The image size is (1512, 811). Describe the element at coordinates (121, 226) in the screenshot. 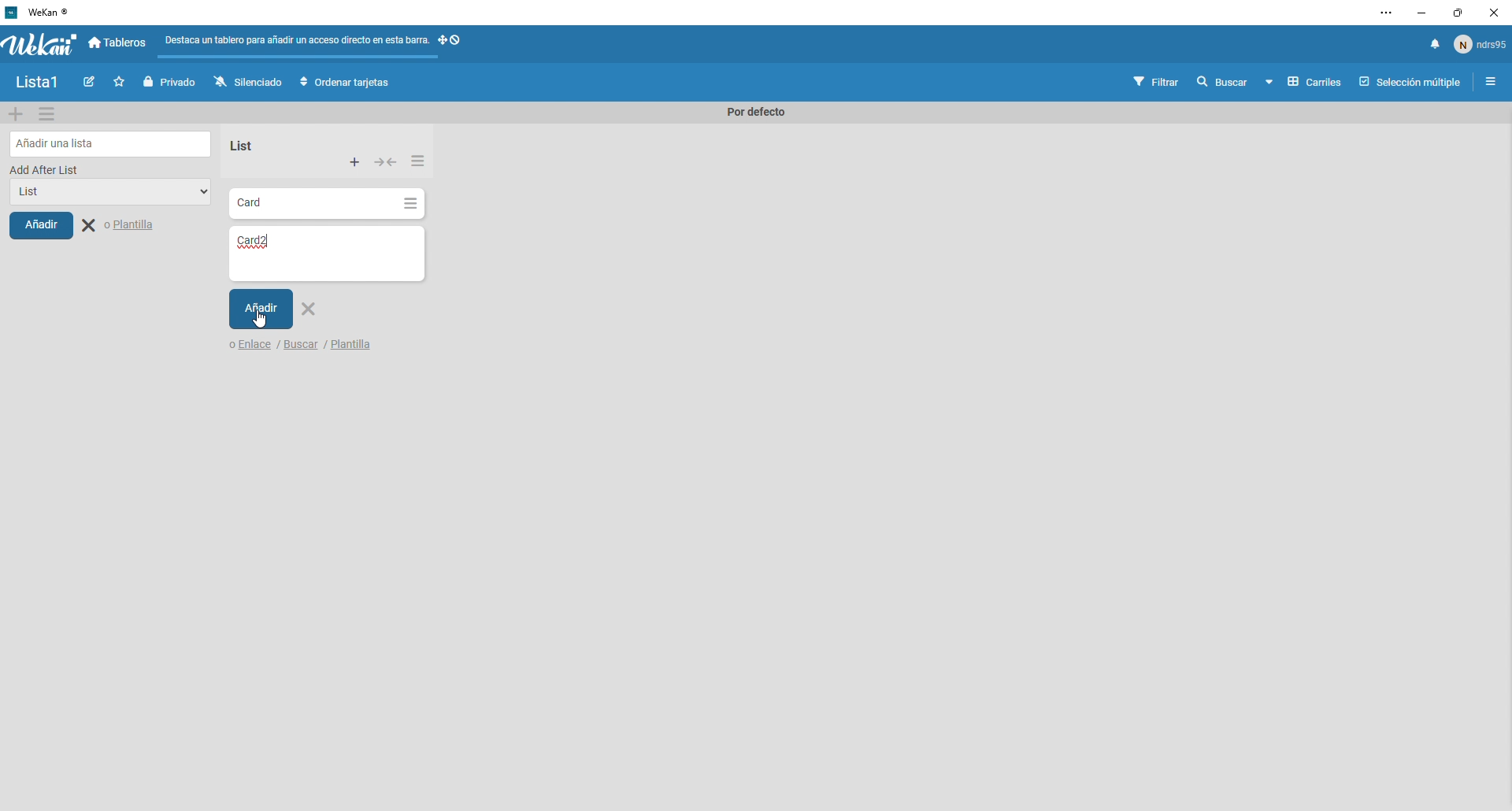

I see `Close` at that location.